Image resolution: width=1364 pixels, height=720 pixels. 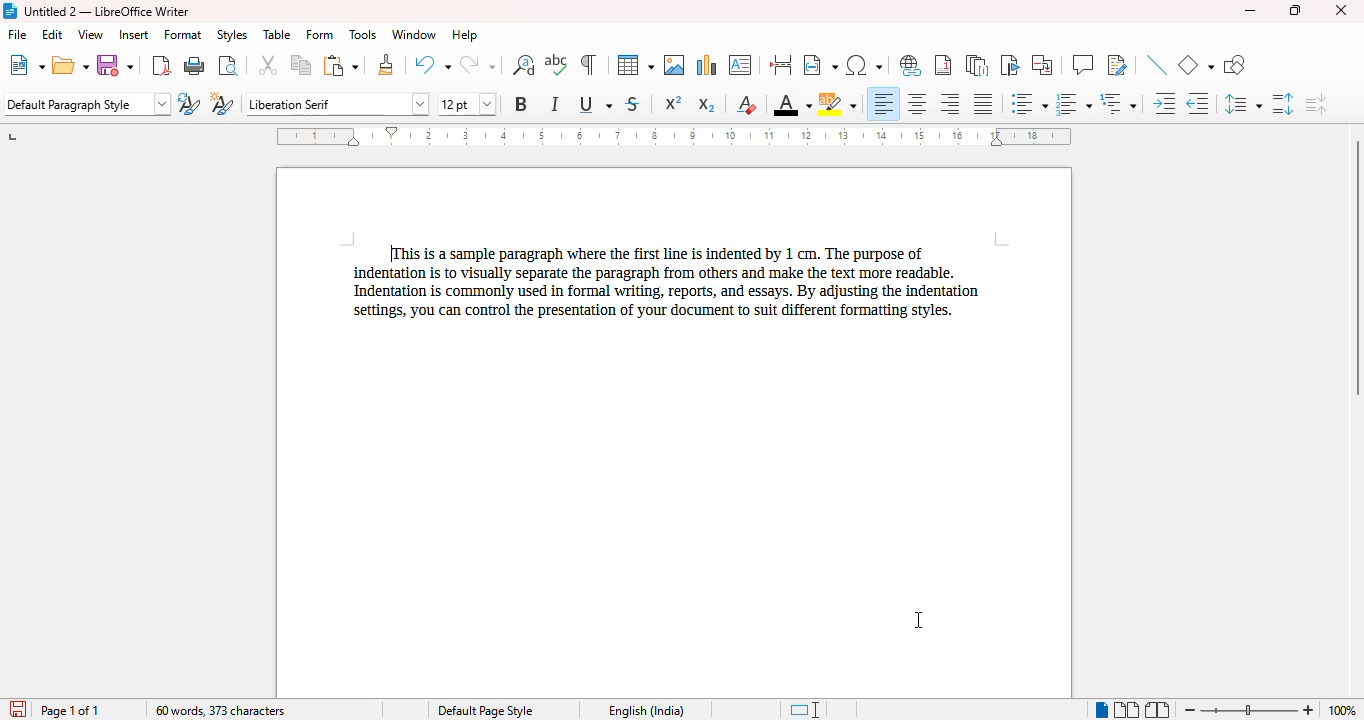 What do you see at coordinates (1029, 103) in the screenshot?
I see `toggle unordered list` at bounding box center [1029, 103].